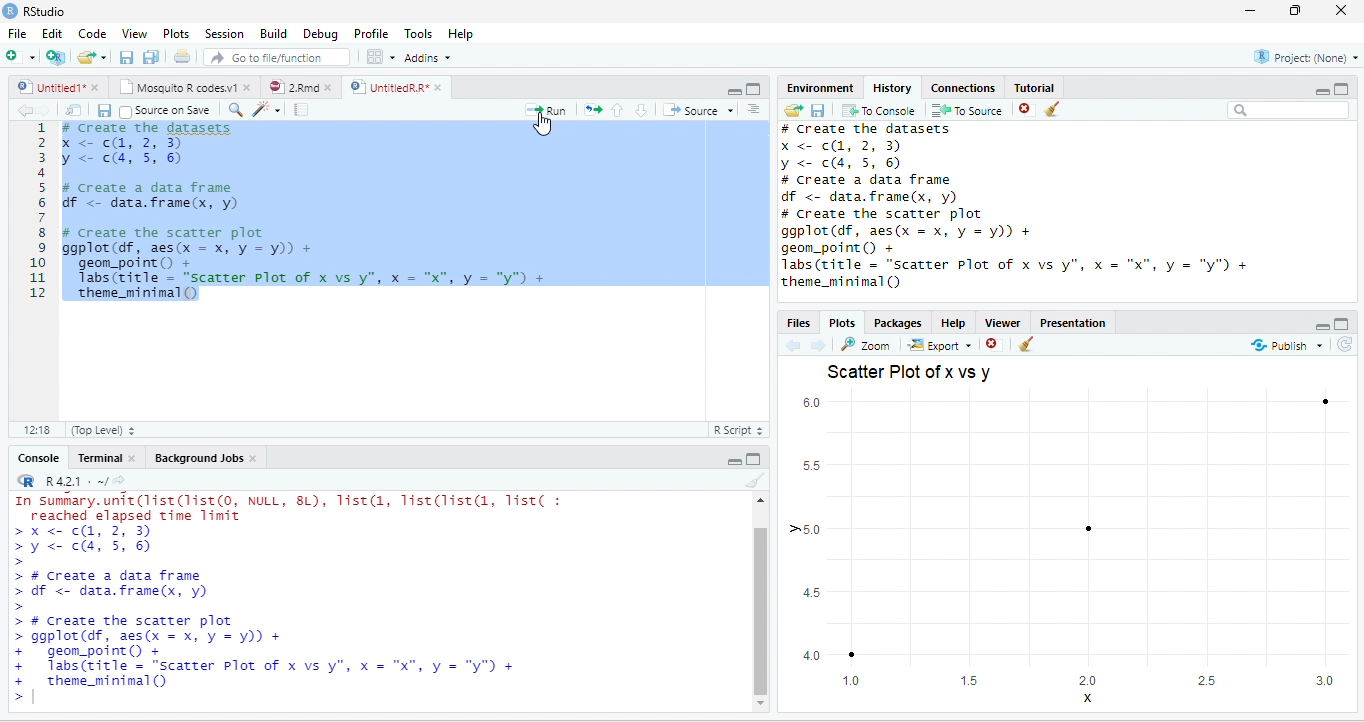 This screenshot has width=1364, height=722. Describe the element at coordinates (1342, 89) in the screenshot. I see `Maximize` at that location.